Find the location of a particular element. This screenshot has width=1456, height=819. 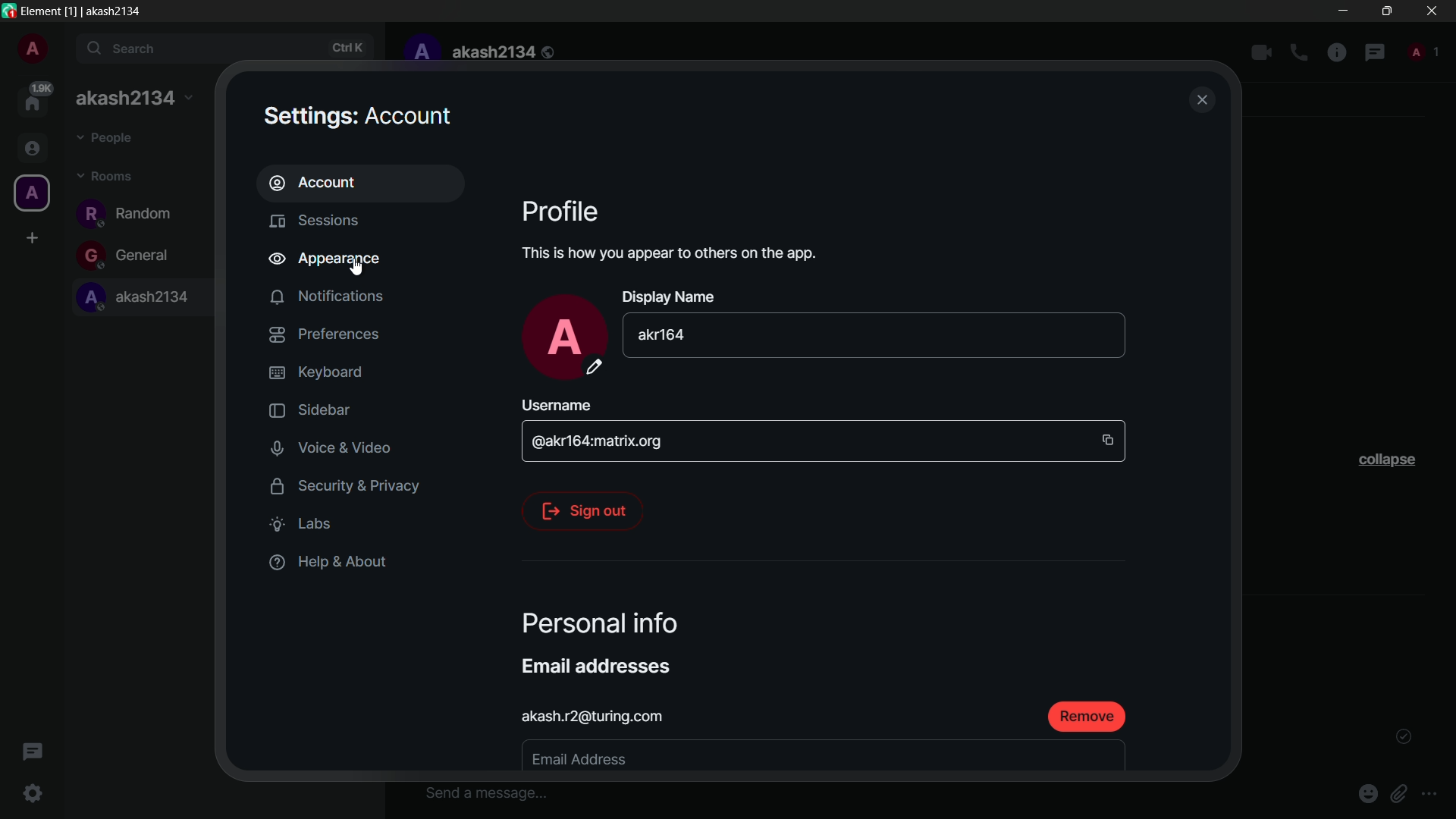

rooms is located at coordinates (106, 177).